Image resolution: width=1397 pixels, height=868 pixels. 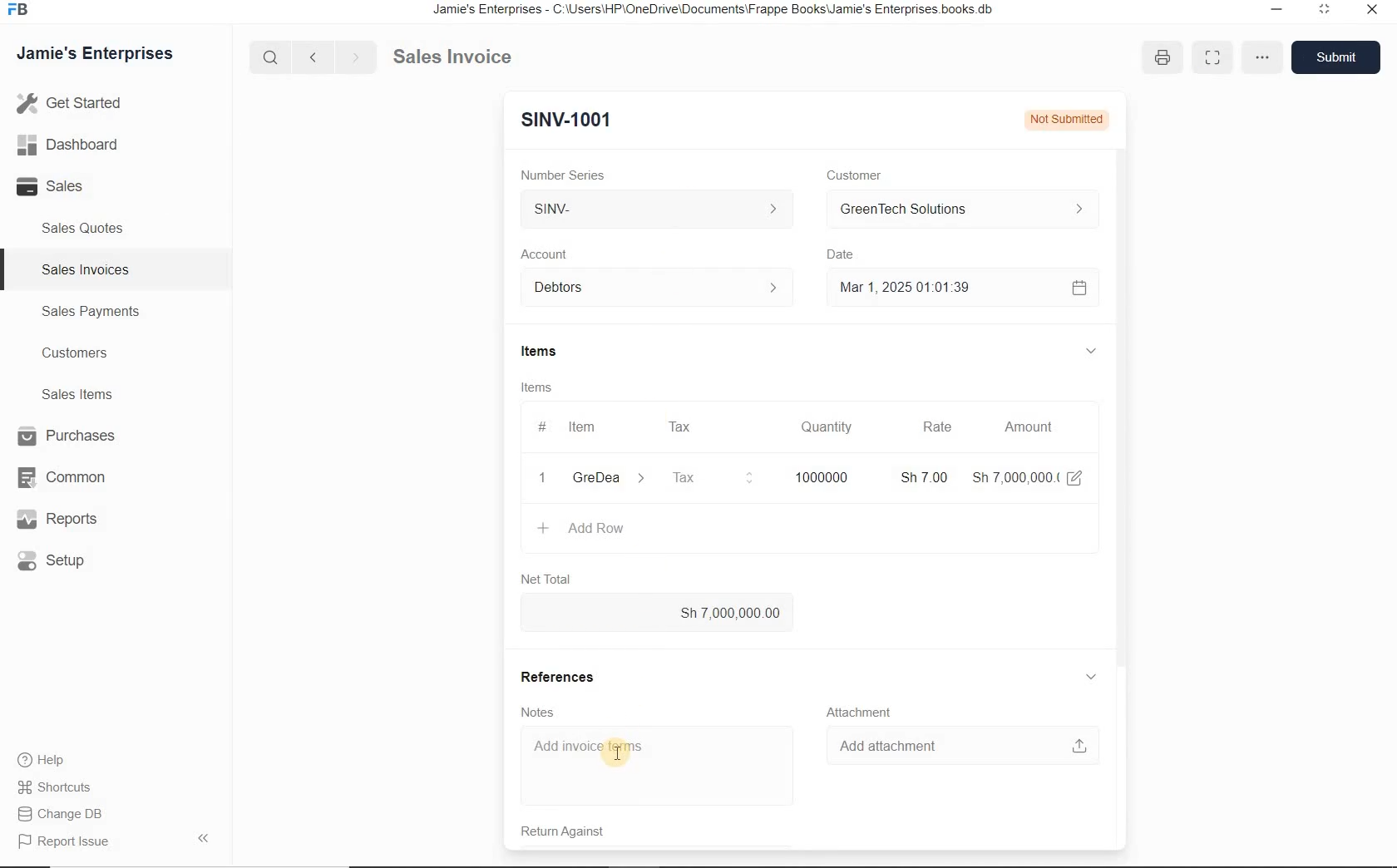 What do you see at coordinates (1373, 13) in the screenshot?
I see `close` at bounding box center [1373, 13].